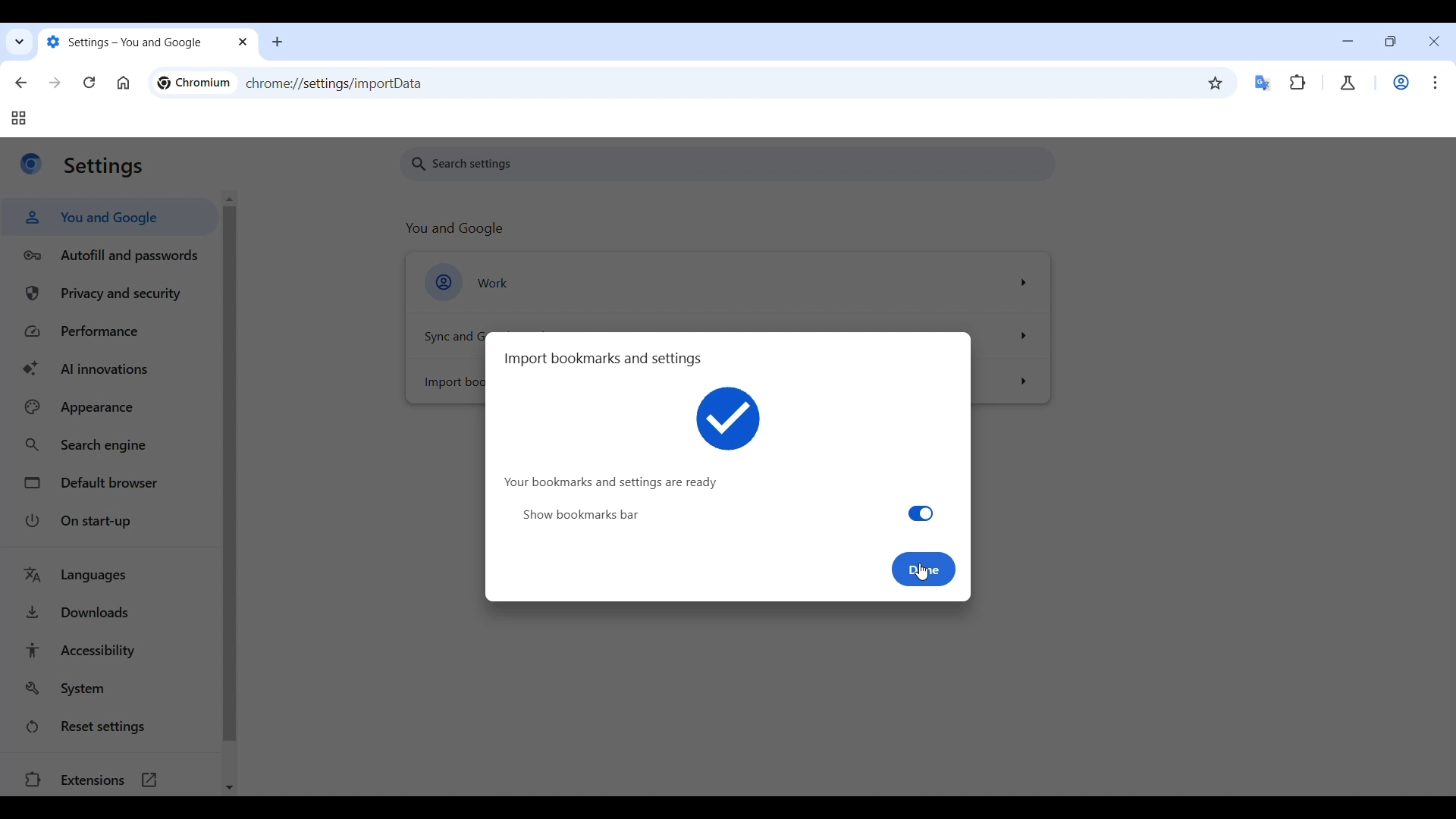 The image size is (1456, 819). Describe the element at coordinates (229, 474) in the screenshot. I see `Vertical slide bar` at that location.